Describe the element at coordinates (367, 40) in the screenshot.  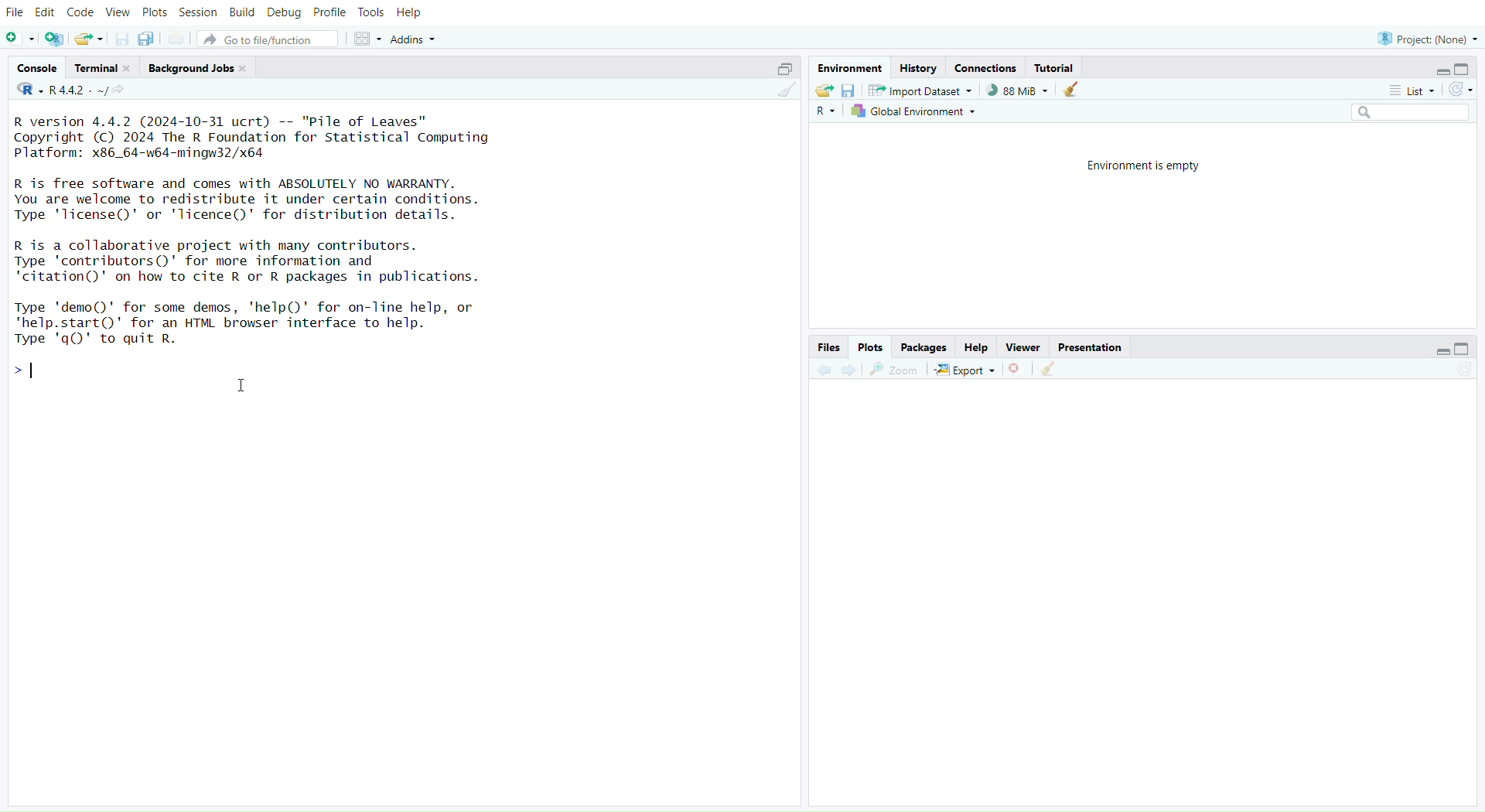
I see `workspace panes` at that location.